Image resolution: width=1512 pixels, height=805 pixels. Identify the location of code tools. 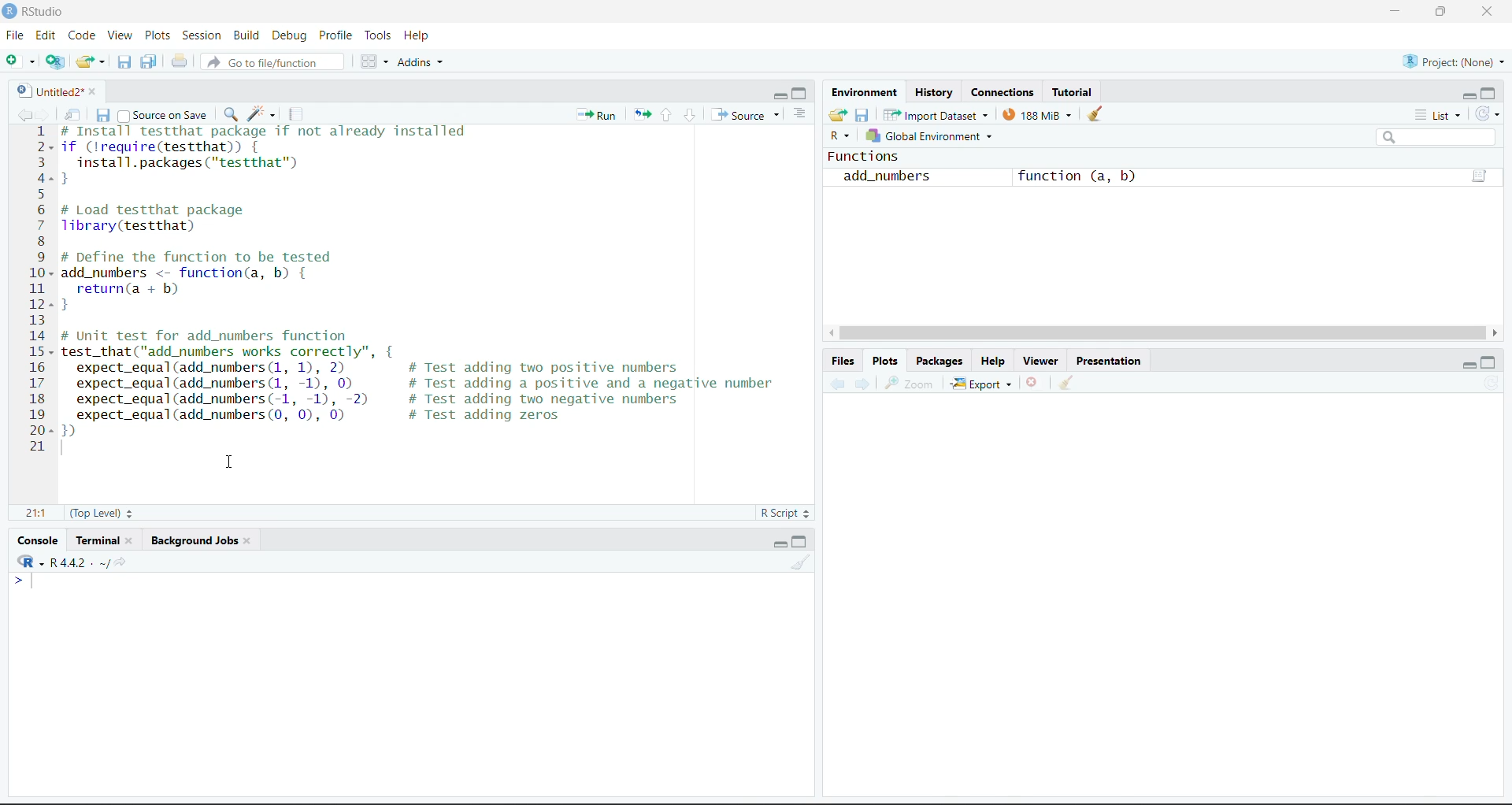
(260, 115).